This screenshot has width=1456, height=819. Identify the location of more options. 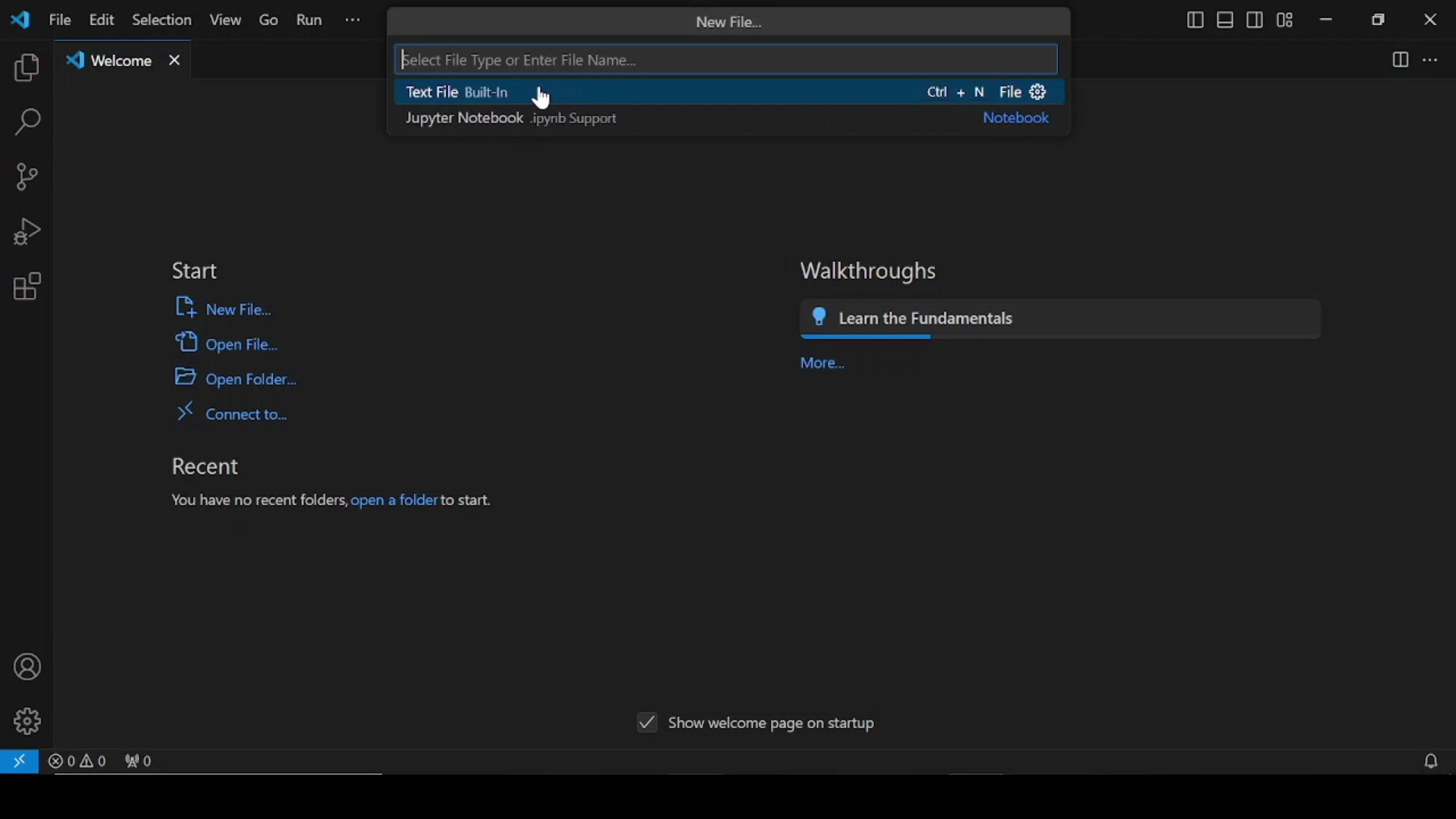
(354, 20).